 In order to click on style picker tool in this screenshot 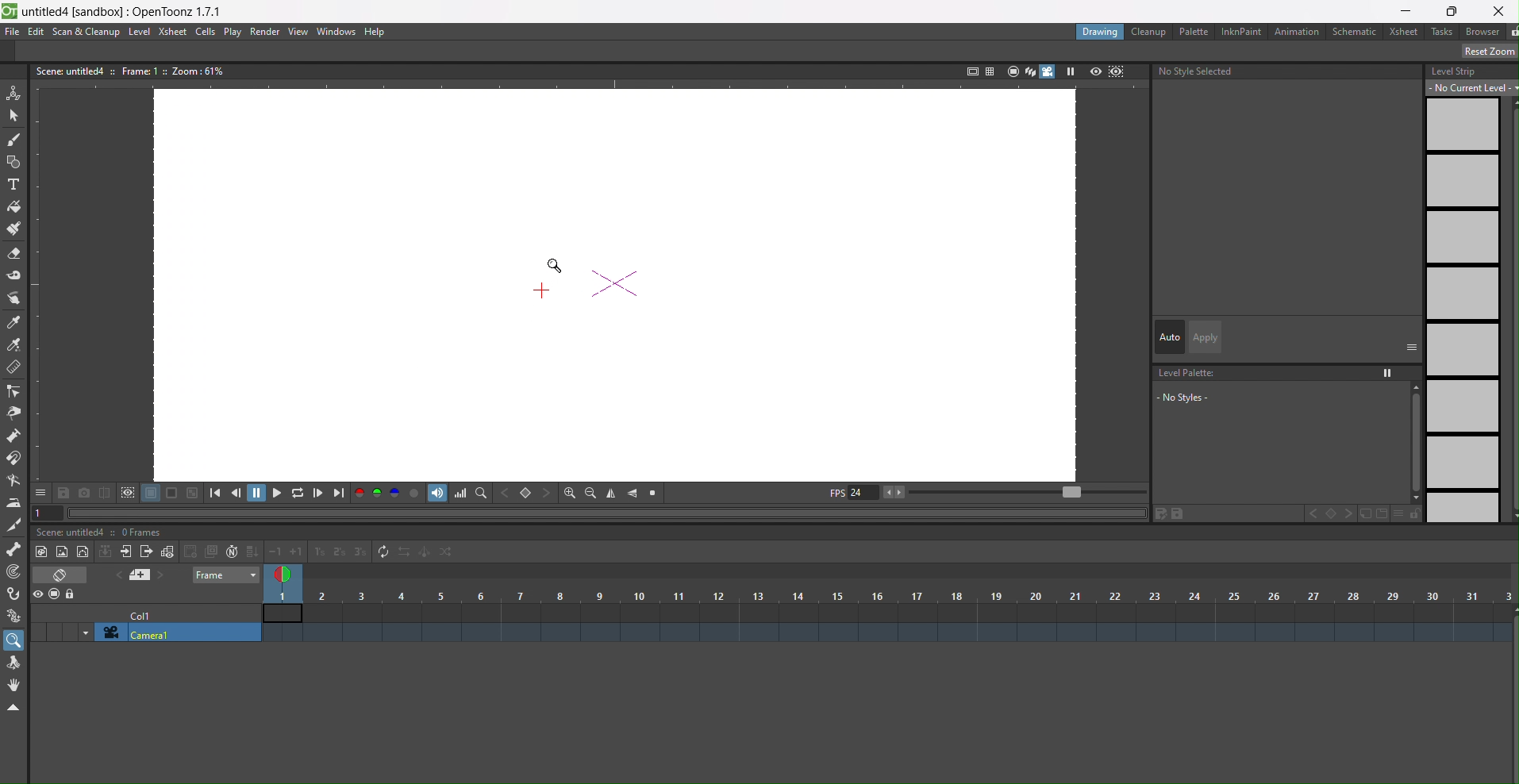, I will do `click(17, 298)`.